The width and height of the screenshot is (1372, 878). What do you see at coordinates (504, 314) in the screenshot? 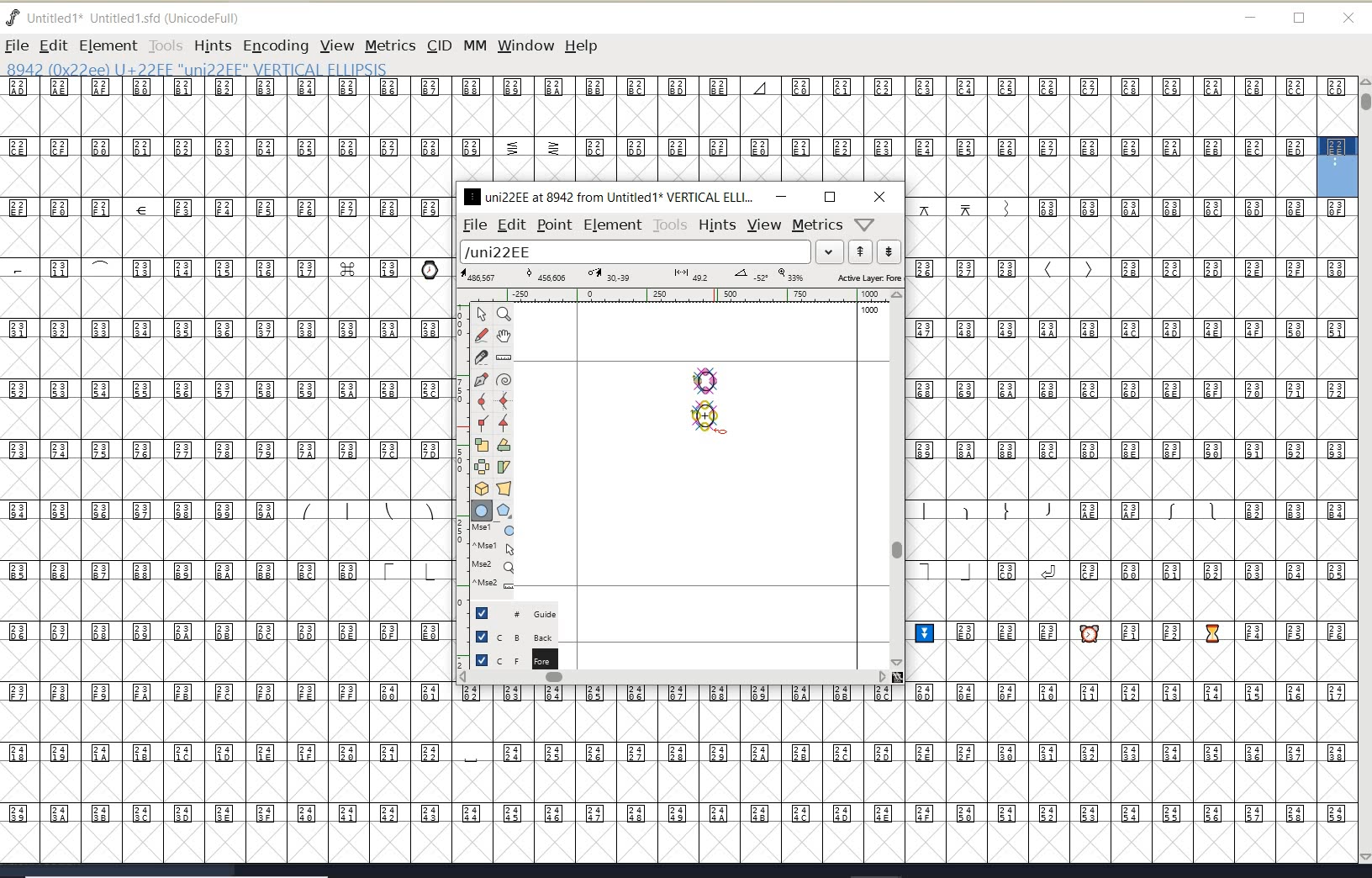
I see `magnify` at bounding box center [504, 314].